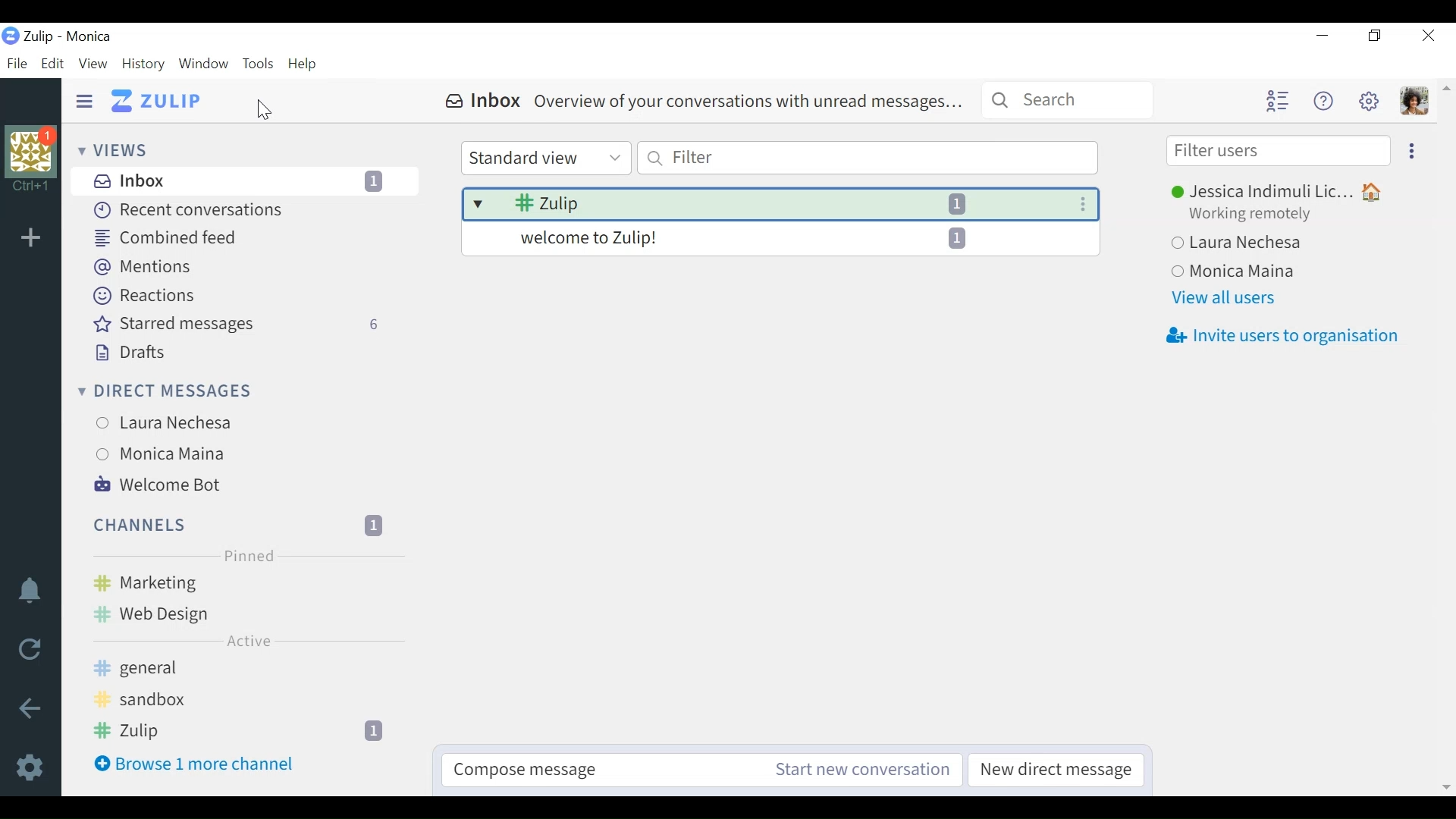  Describe the element at coordinates (138, 267) in the screenshot. I see `Mentions` at that location.